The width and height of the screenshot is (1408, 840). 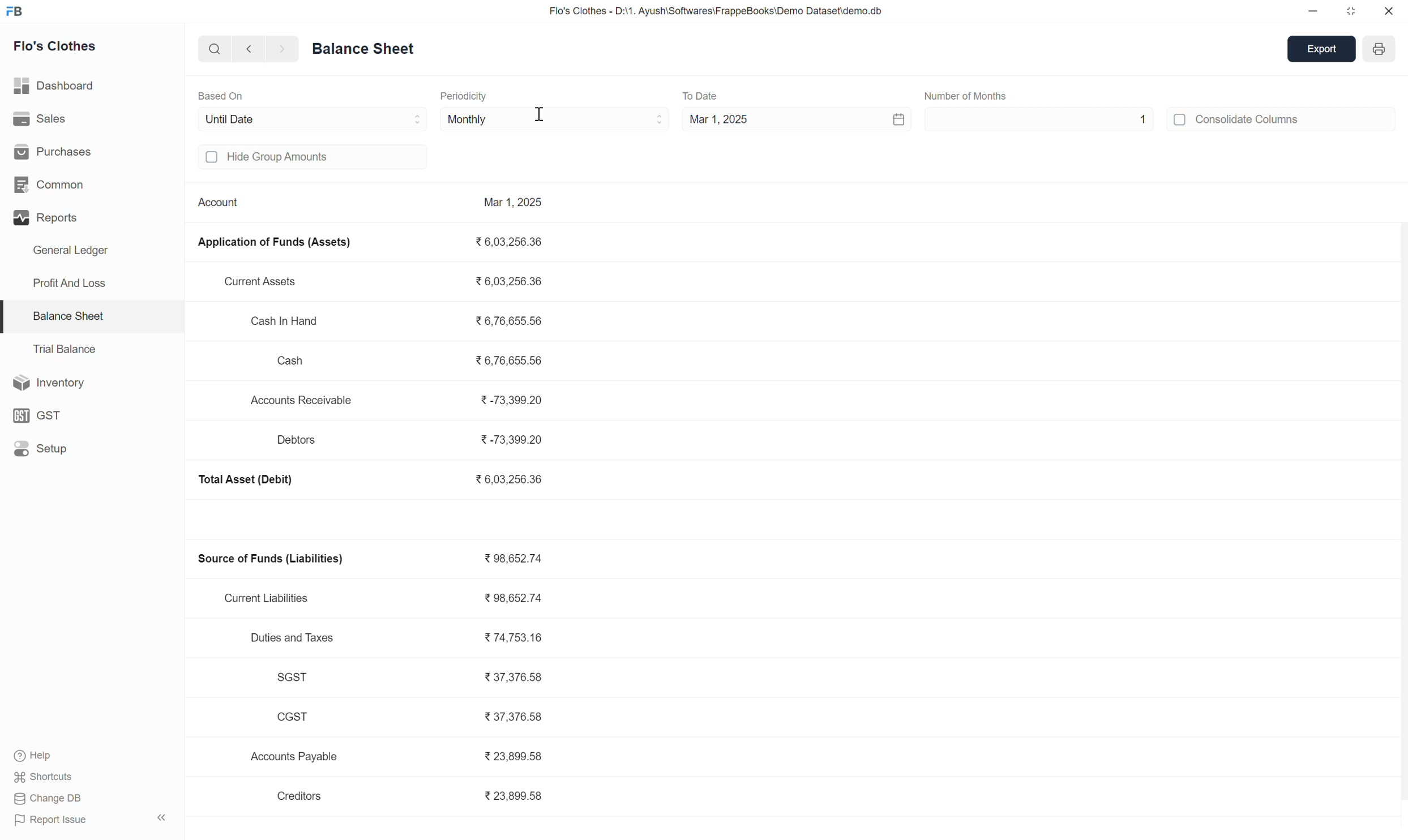 What do you see at coordinates (50, 121) in the screenshot?
I see `Sales` at bounding box center [50, 121].